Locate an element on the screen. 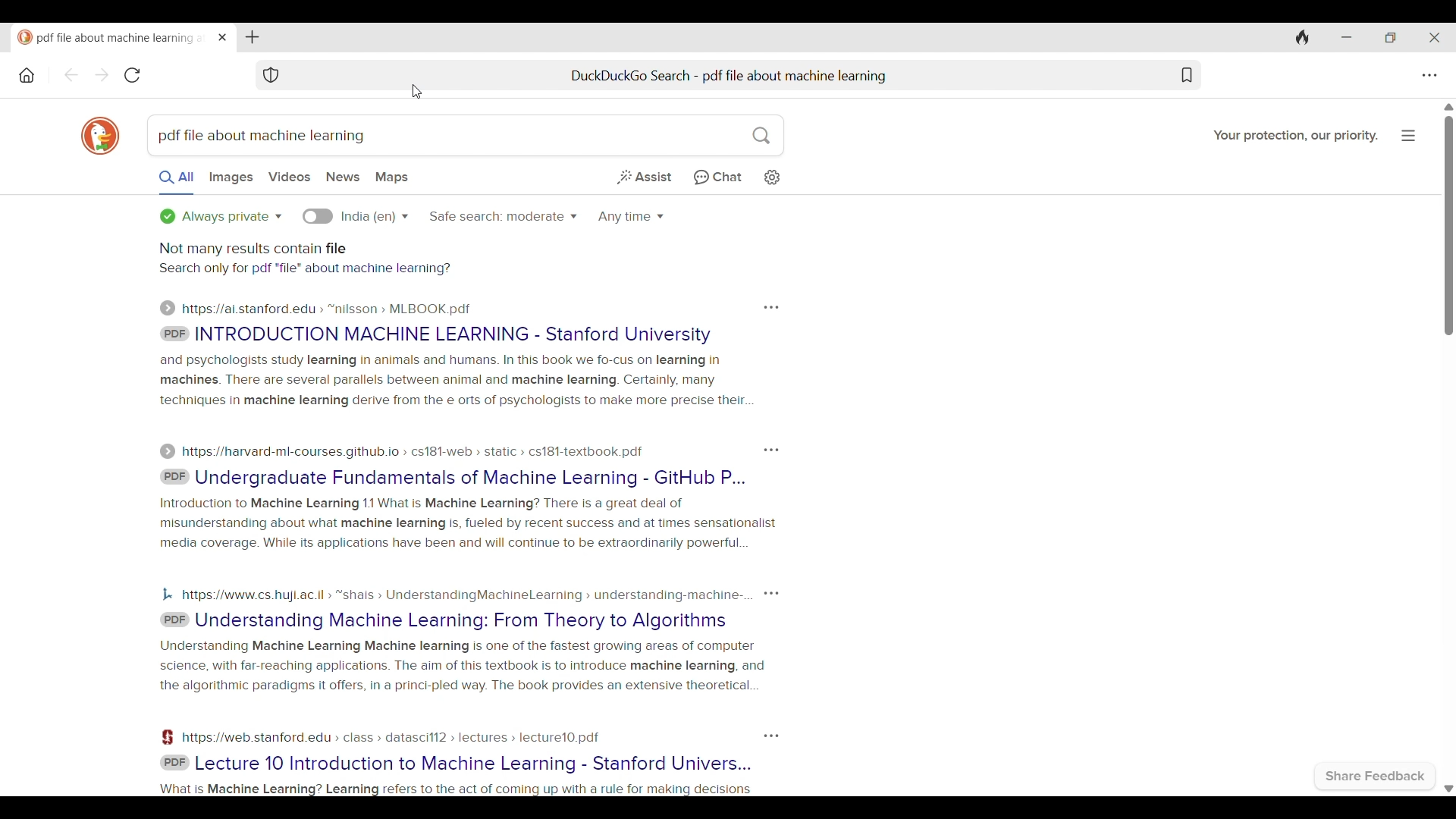  Close interface is located at coordinates (1434, 37).